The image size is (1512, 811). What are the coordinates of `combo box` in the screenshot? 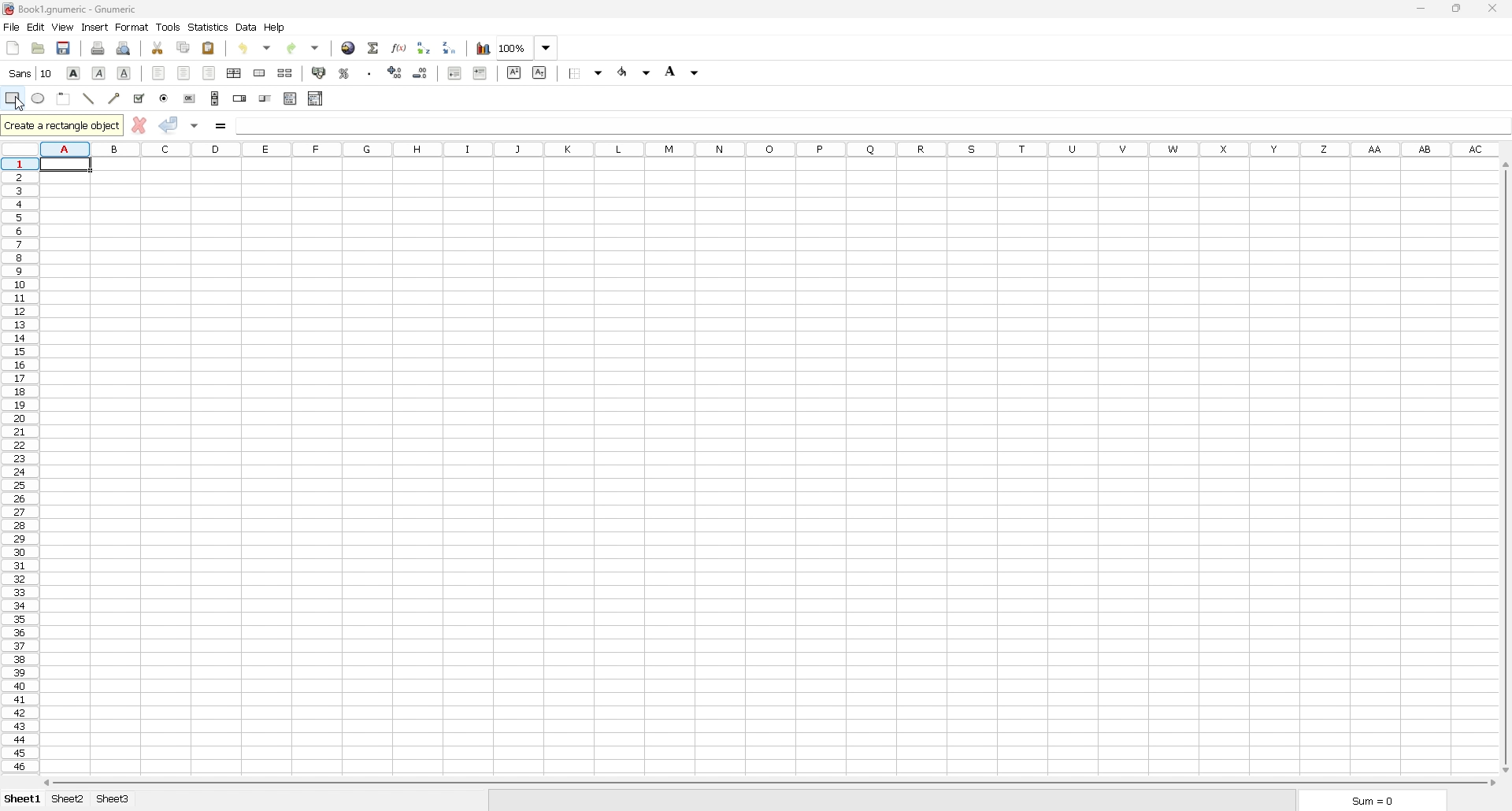 It's located at (316, 98).